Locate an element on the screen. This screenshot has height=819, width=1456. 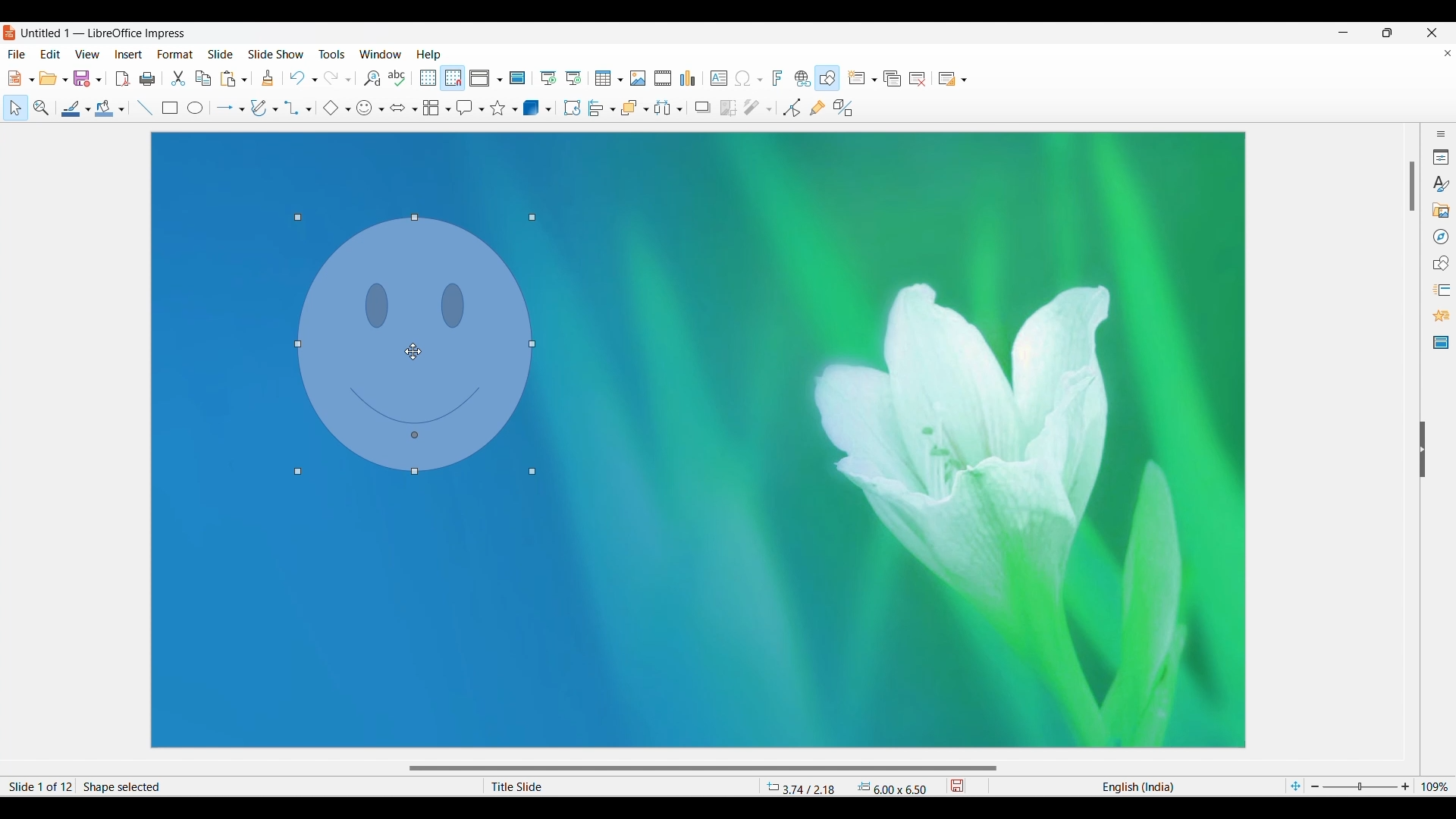
Selected symbol is located at coordinates (364, 108).